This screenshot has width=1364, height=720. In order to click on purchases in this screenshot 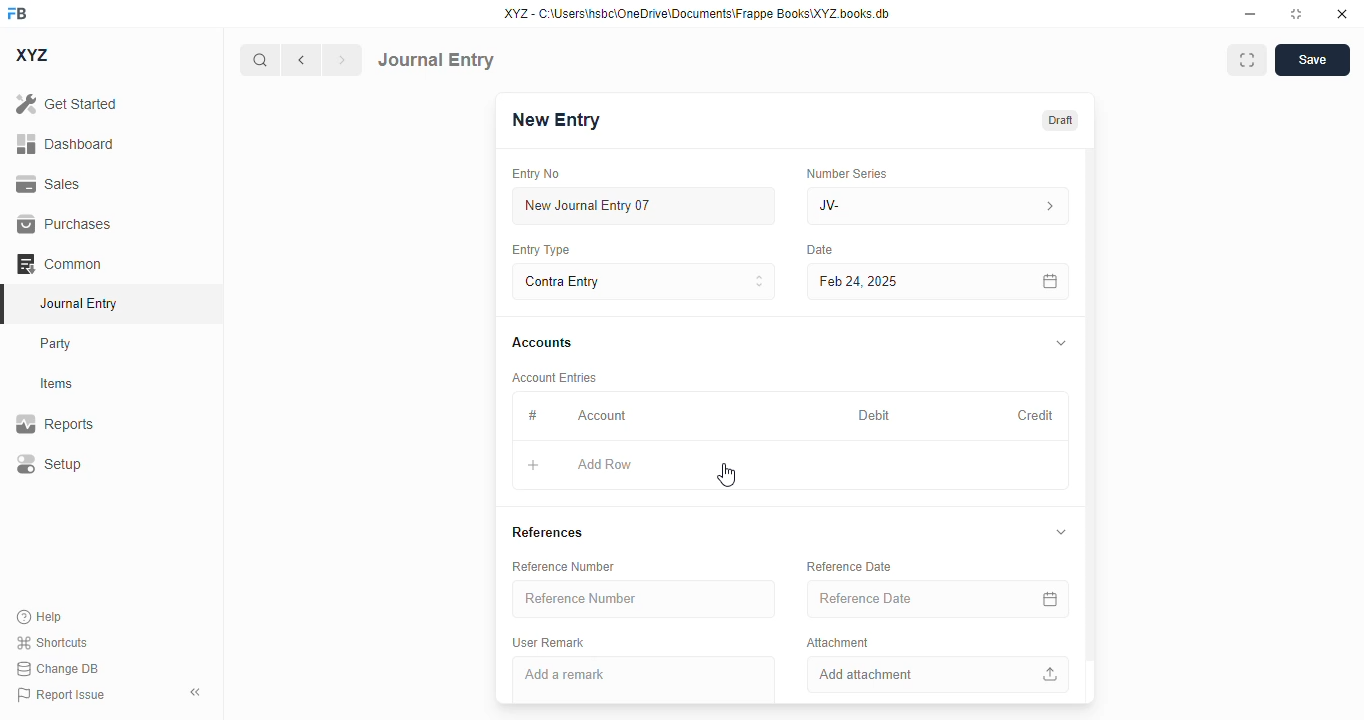, I will do `click(66, 224)`.